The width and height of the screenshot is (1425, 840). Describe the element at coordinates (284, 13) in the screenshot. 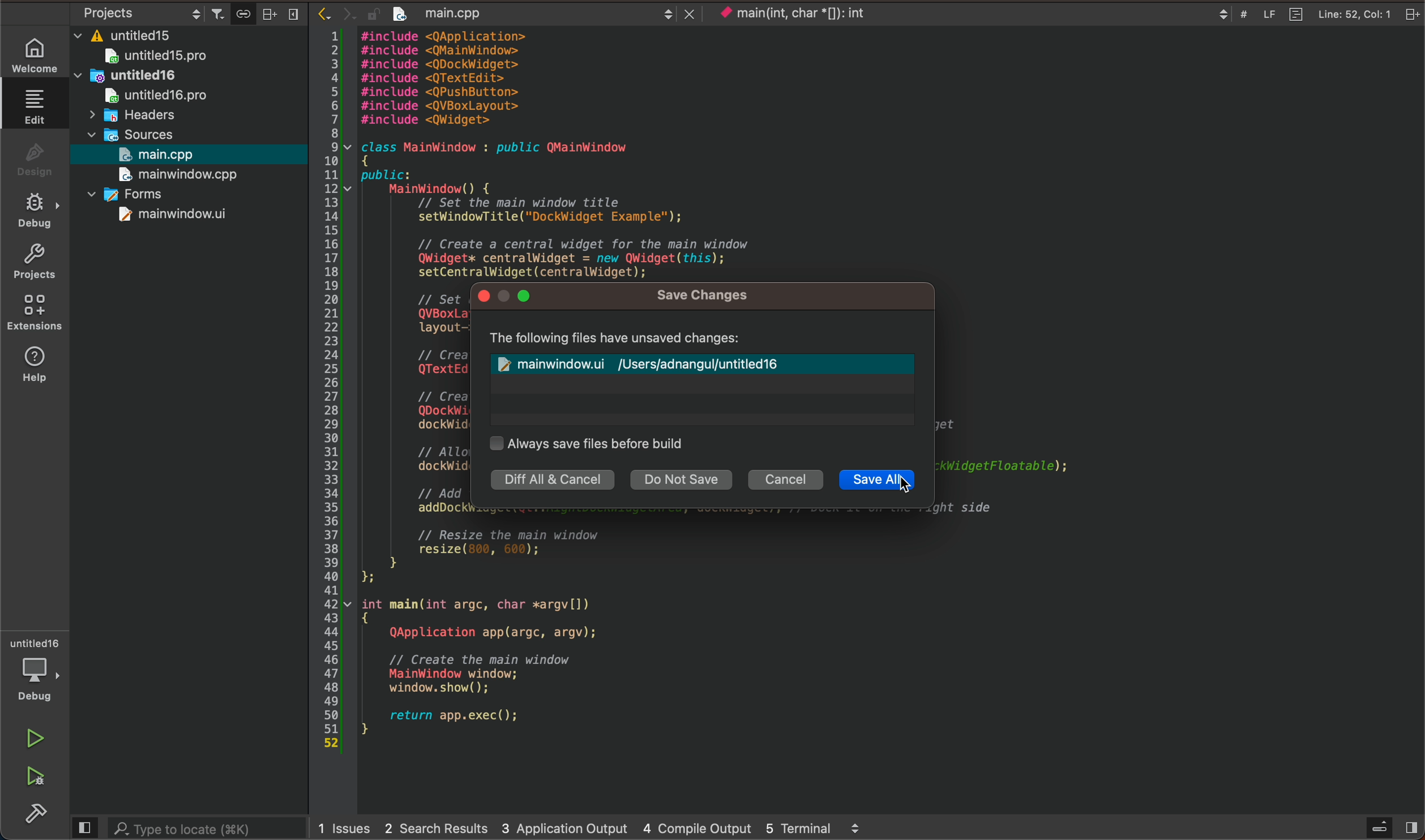

I see `close bar` at that location.